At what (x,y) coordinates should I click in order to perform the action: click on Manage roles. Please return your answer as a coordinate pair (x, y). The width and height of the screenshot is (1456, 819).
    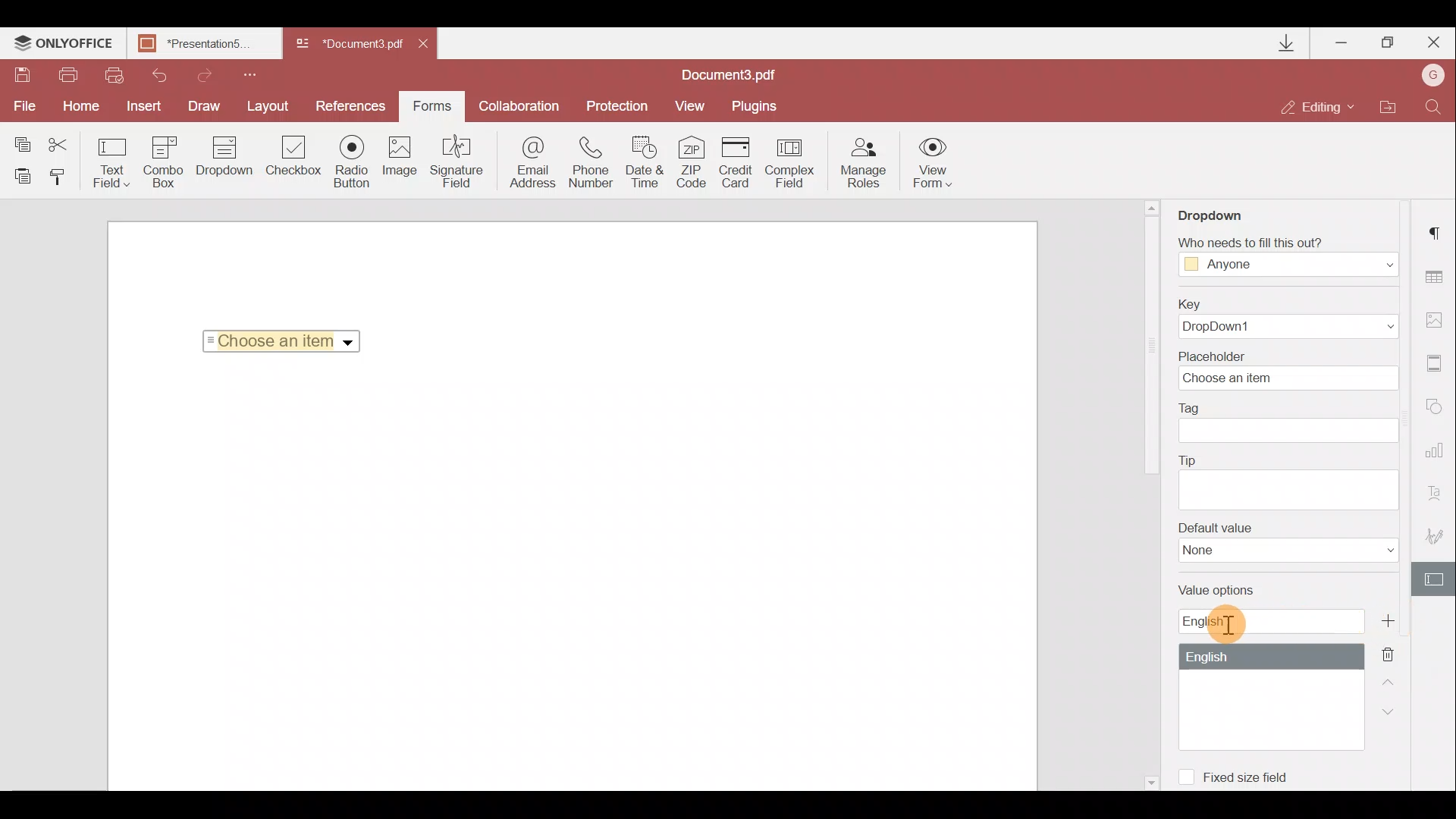
    Looking at the image, I should click on (863, 163).